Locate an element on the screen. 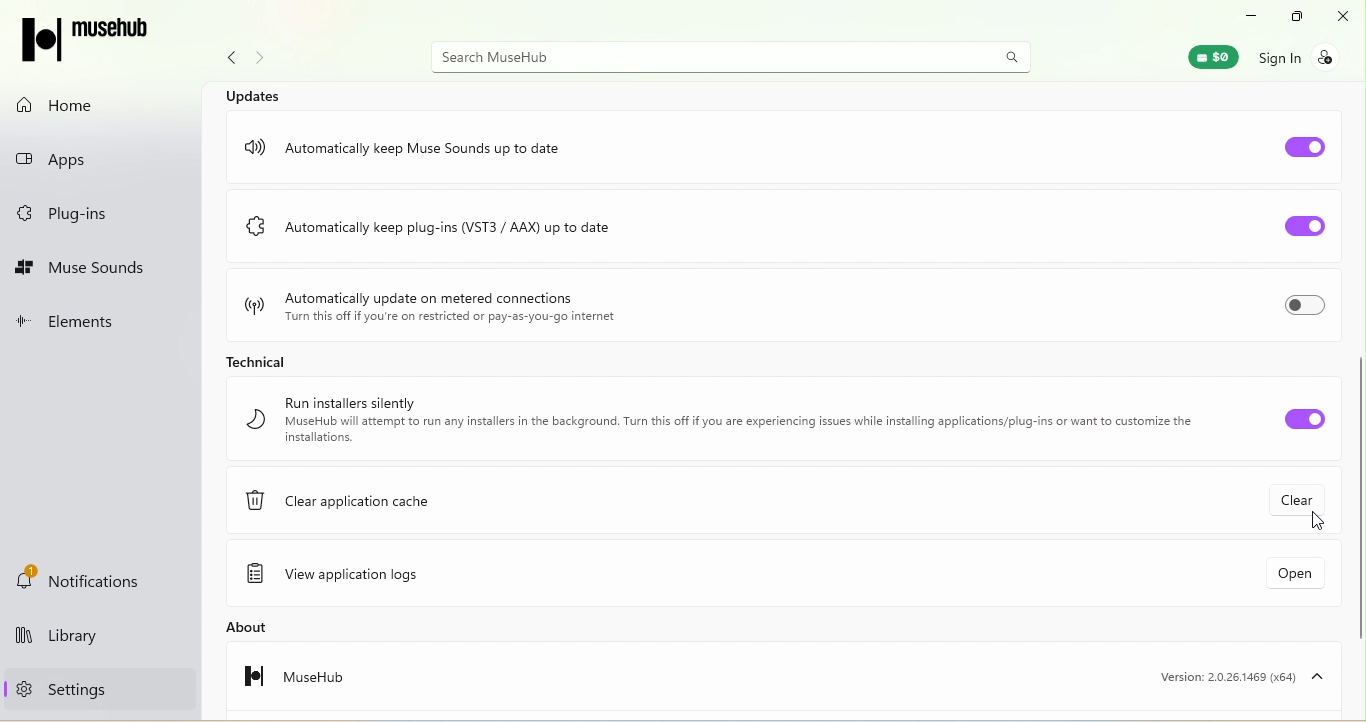 Image resolution: width=1366 pixels, height=722 pixels. Home is located at coordinates (66, 105).